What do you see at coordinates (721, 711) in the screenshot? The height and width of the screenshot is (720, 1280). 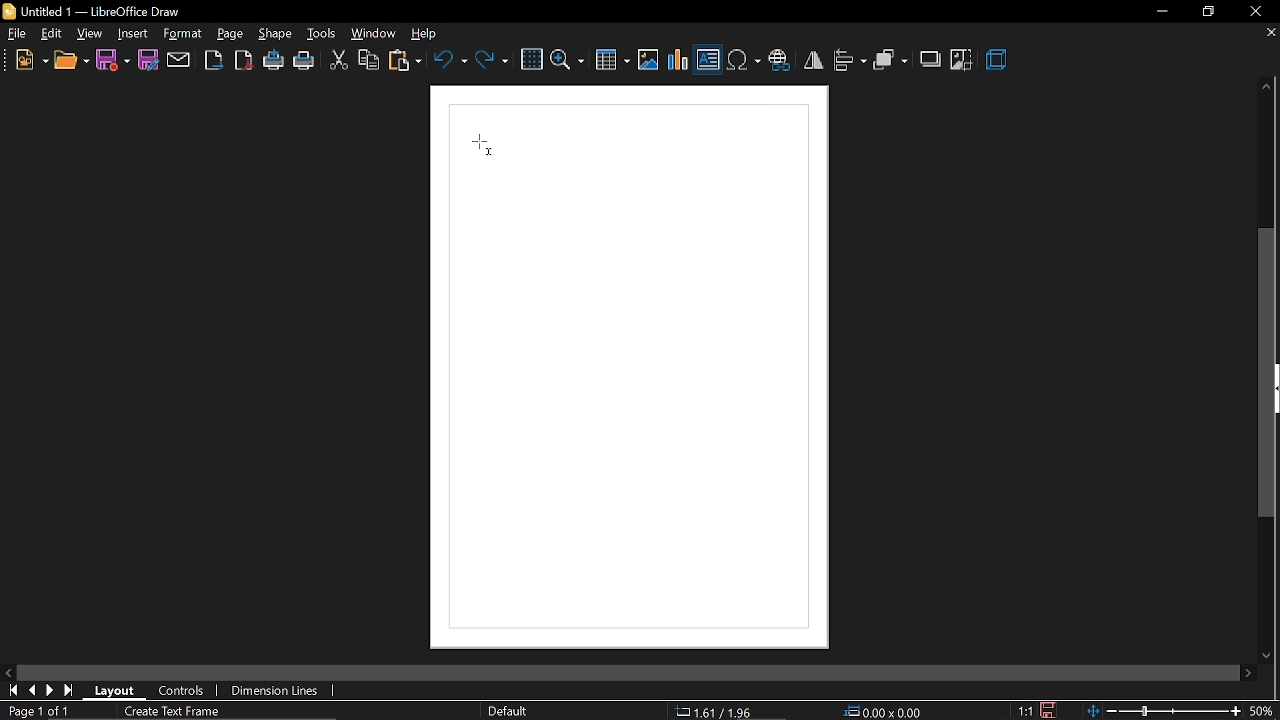 I see `co-ordinate` at bounding box center [721, 711].